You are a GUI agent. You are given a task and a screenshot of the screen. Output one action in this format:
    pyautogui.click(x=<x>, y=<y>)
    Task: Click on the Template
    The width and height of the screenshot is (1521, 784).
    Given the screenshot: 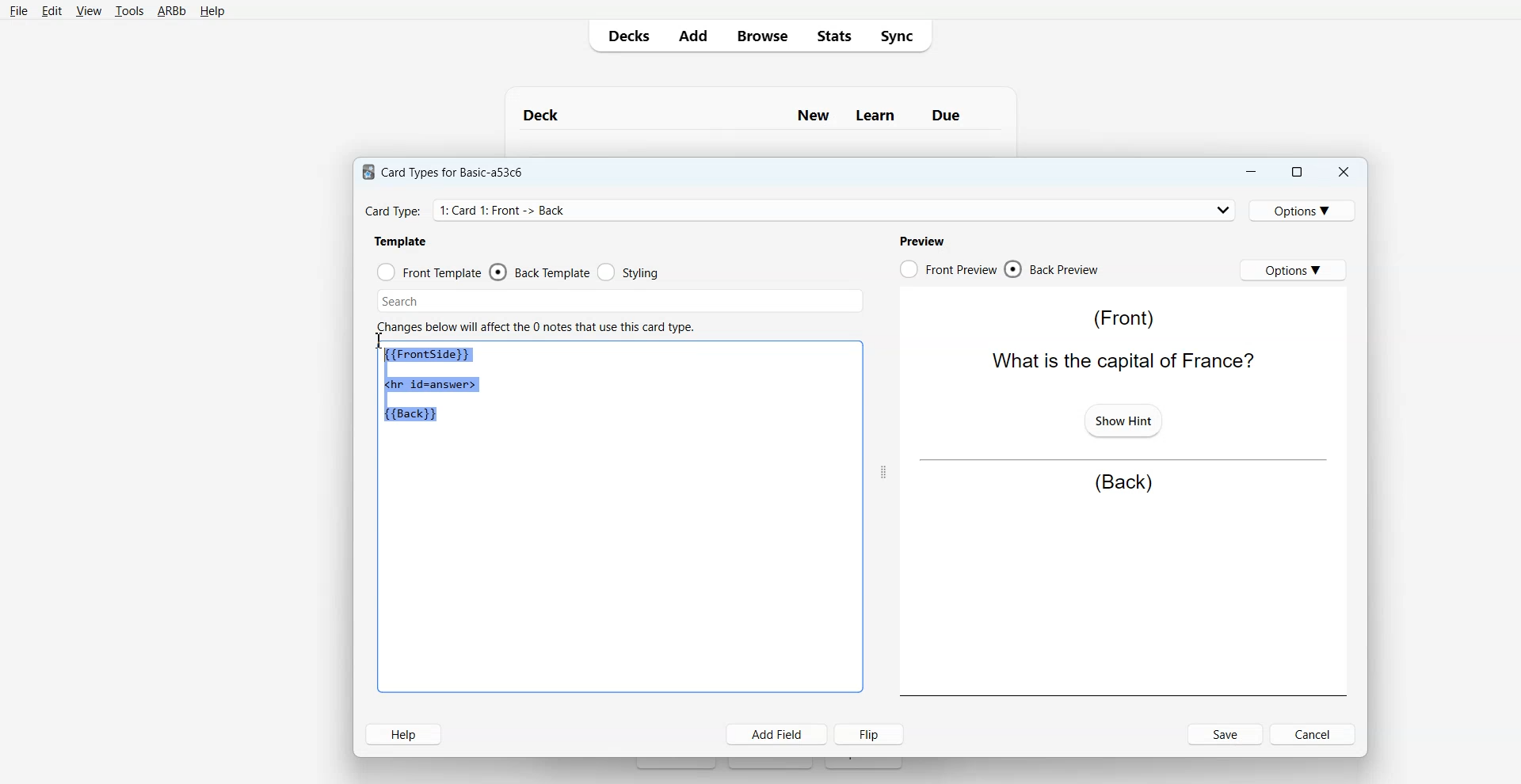 What is the action you would take?
    pyautogui.click(x=402, y=241)
    